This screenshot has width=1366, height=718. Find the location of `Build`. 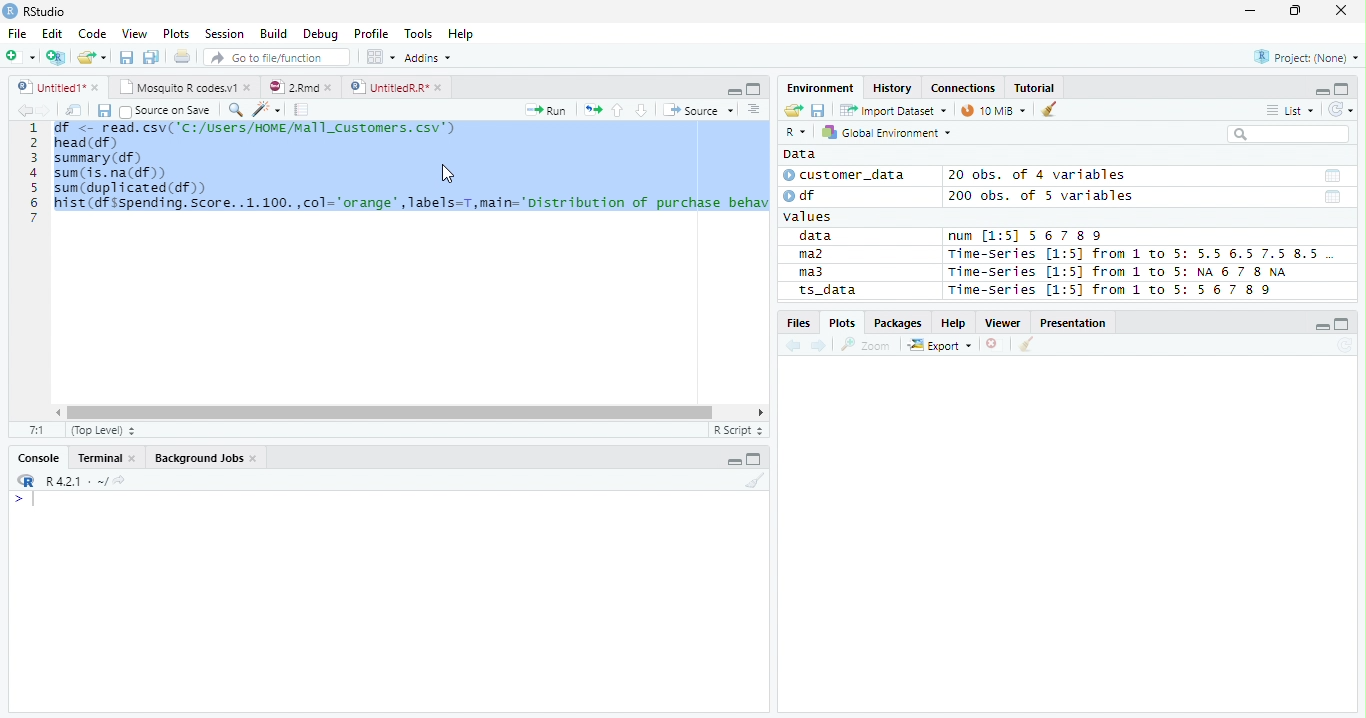

Build is located at coordinates (276, 35).